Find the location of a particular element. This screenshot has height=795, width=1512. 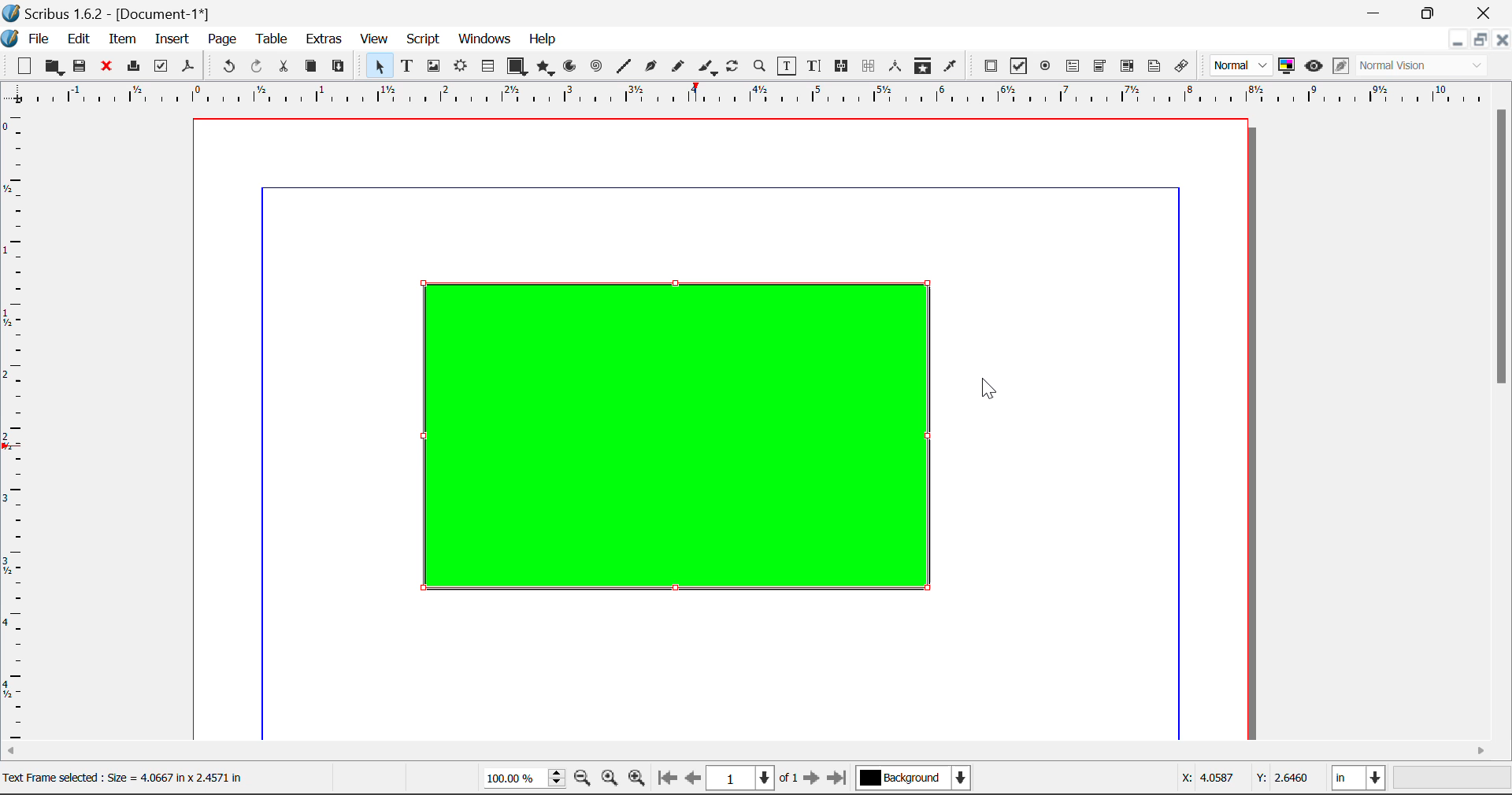

Polygon is located at coordinates (547, 68).